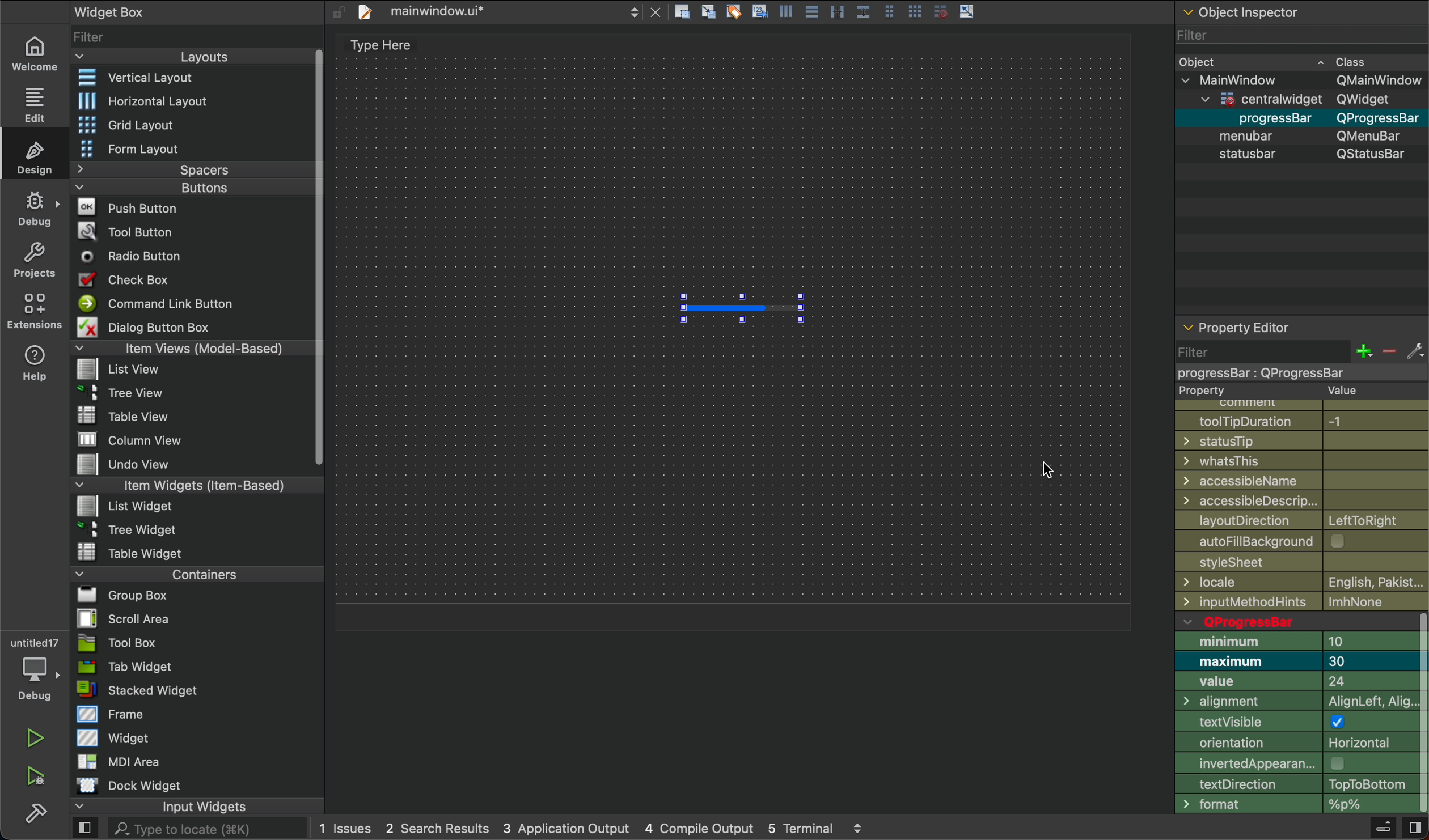 Image resolution: width=1429 pixels, height=840 pixels. I want to click on Stylesheet, so click(1300, 564).